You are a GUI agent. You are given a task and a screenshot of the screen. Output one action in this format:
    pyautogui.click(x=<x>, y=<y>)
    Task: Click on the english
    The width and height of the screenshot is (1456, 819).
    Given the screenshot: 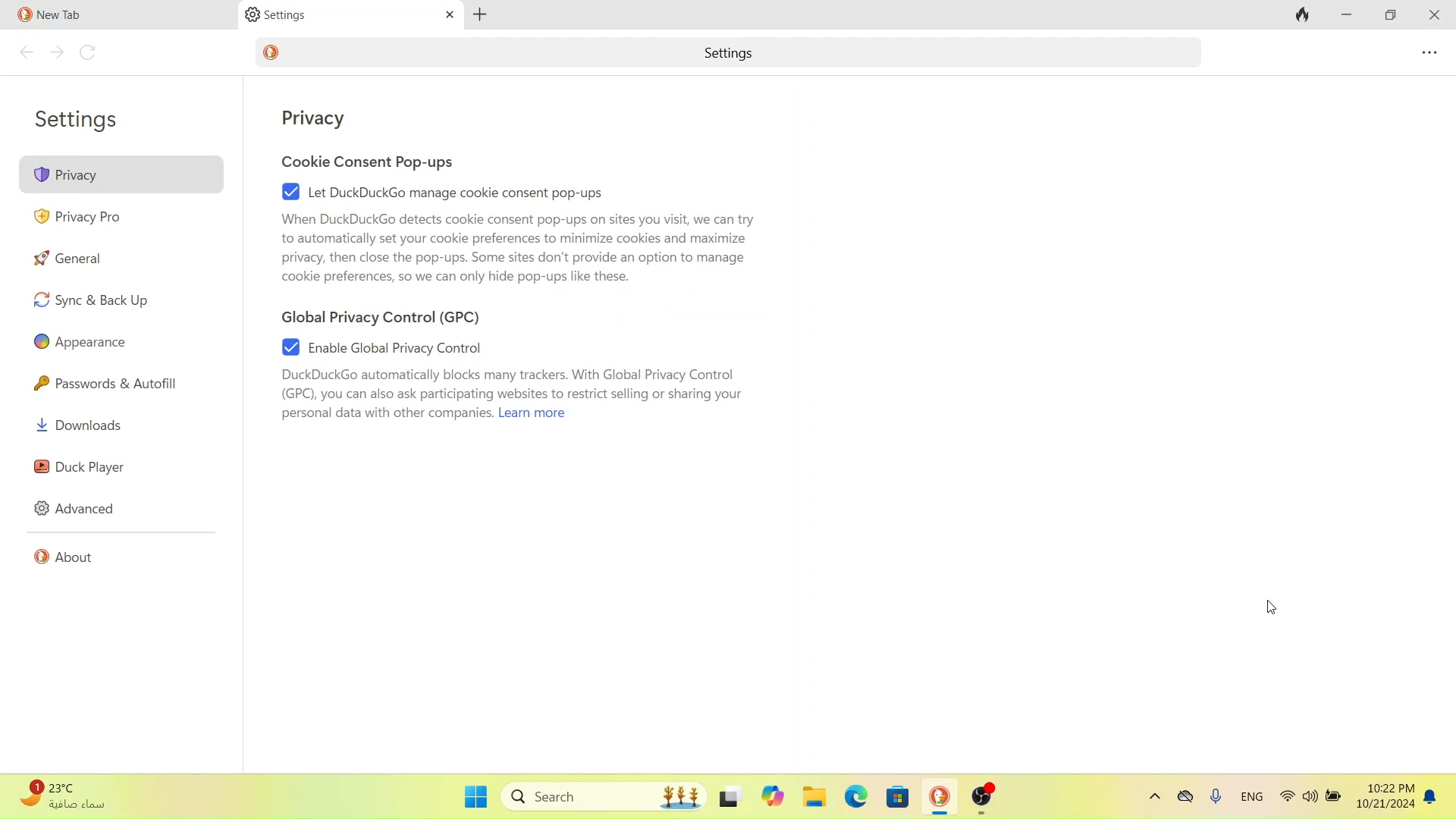 What is the action you would take?
    pyautogui.click(x=1255, y=803)
    